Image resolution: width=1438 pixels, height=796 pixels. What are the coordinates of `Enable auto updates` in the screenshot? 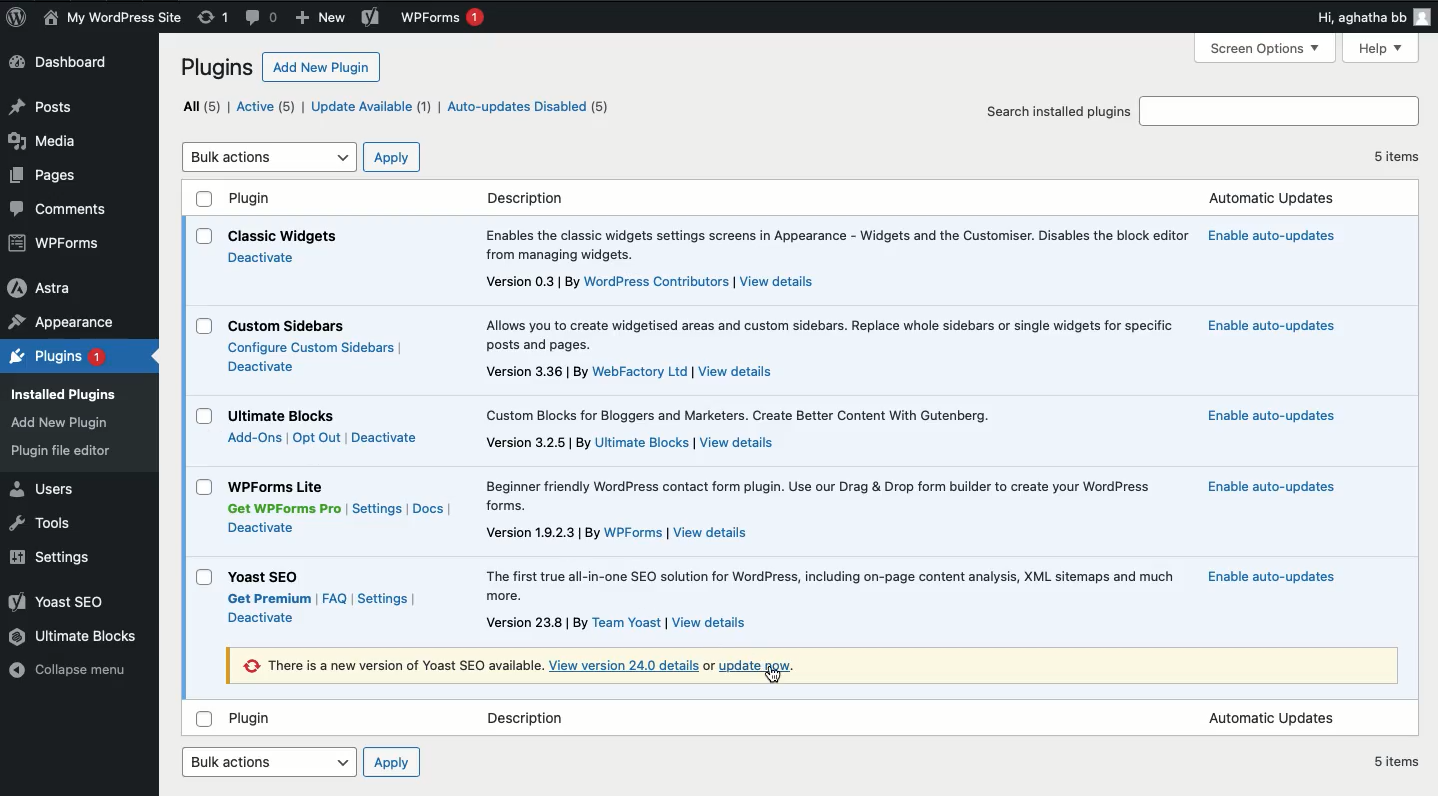 It's located at (1271, 328).